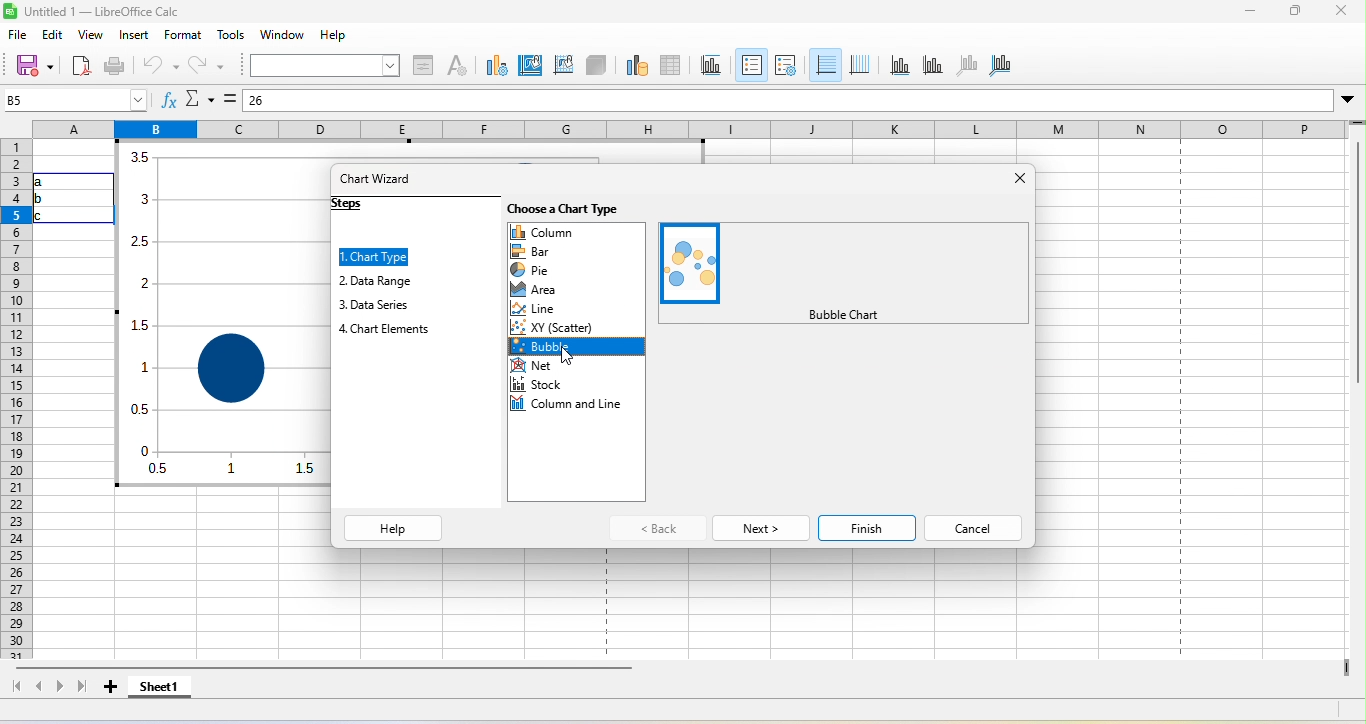  What do you see at coordinates (657, 528) in the screenshot?
I see `back` at bounding box center [657, 528].